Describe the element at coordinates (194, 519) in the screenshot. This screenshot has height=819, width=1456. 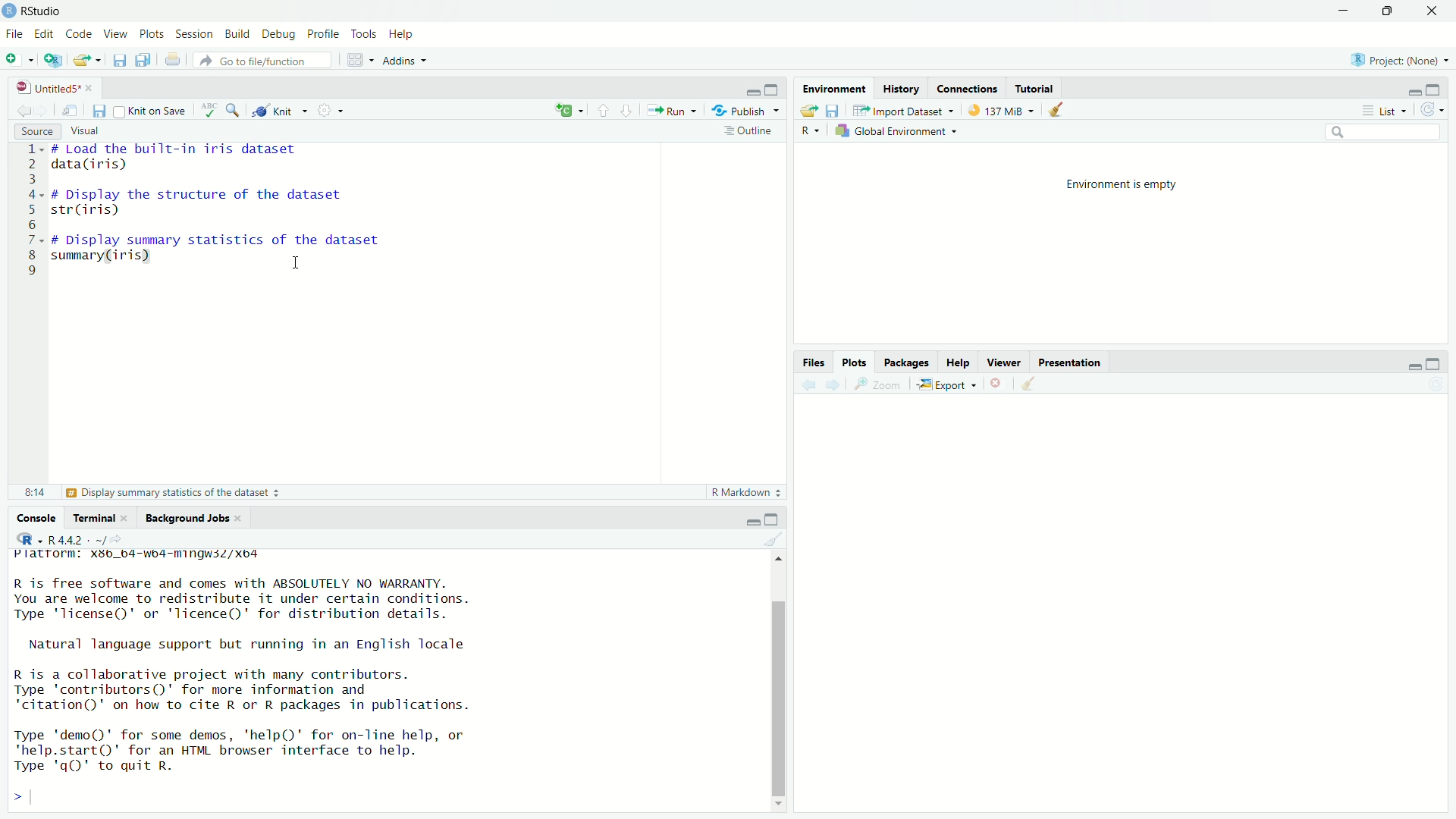
I see `Background Jobs` at that location.